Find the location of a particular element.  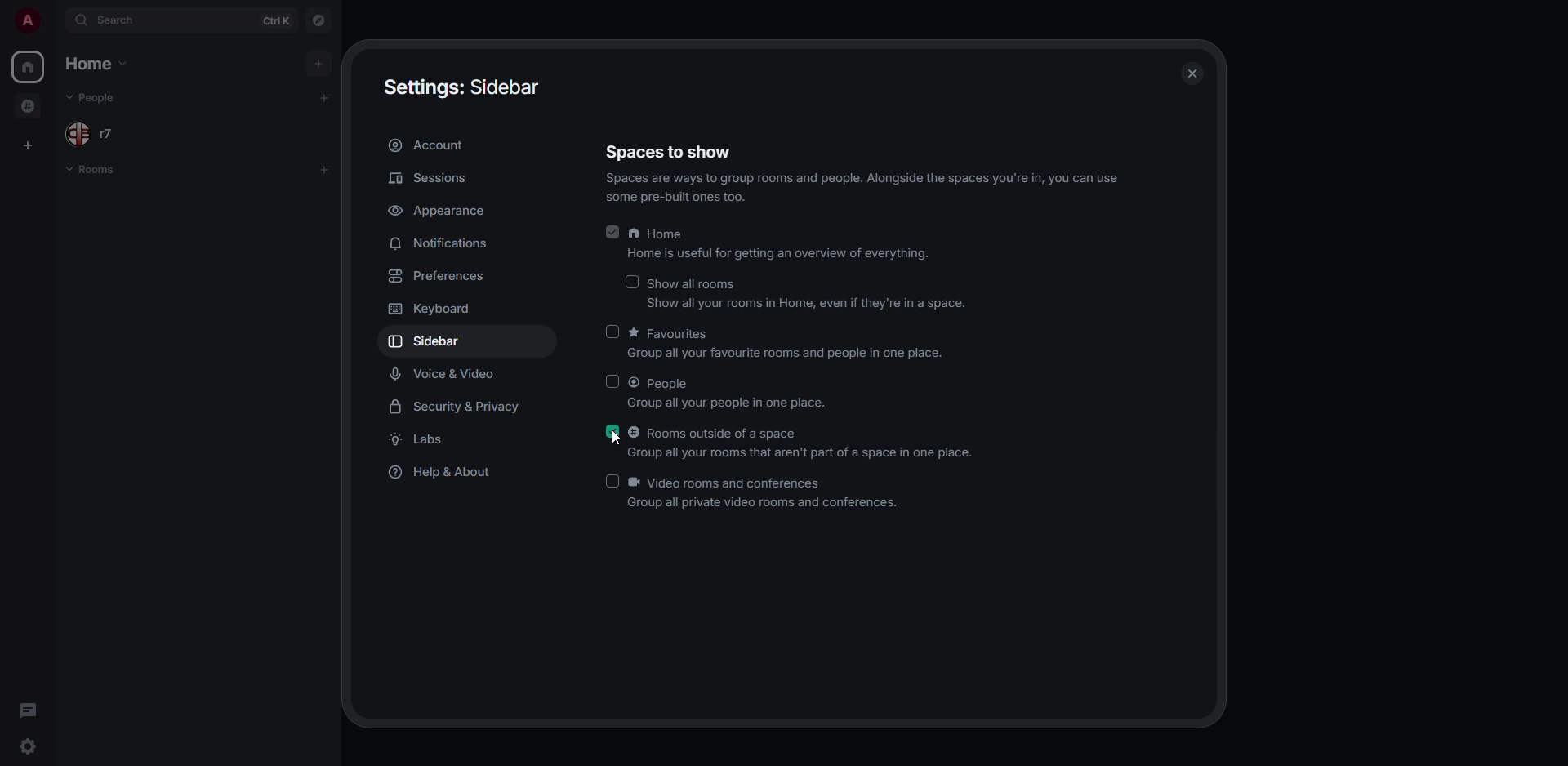

sidebar is located at coordinates (438, 341).